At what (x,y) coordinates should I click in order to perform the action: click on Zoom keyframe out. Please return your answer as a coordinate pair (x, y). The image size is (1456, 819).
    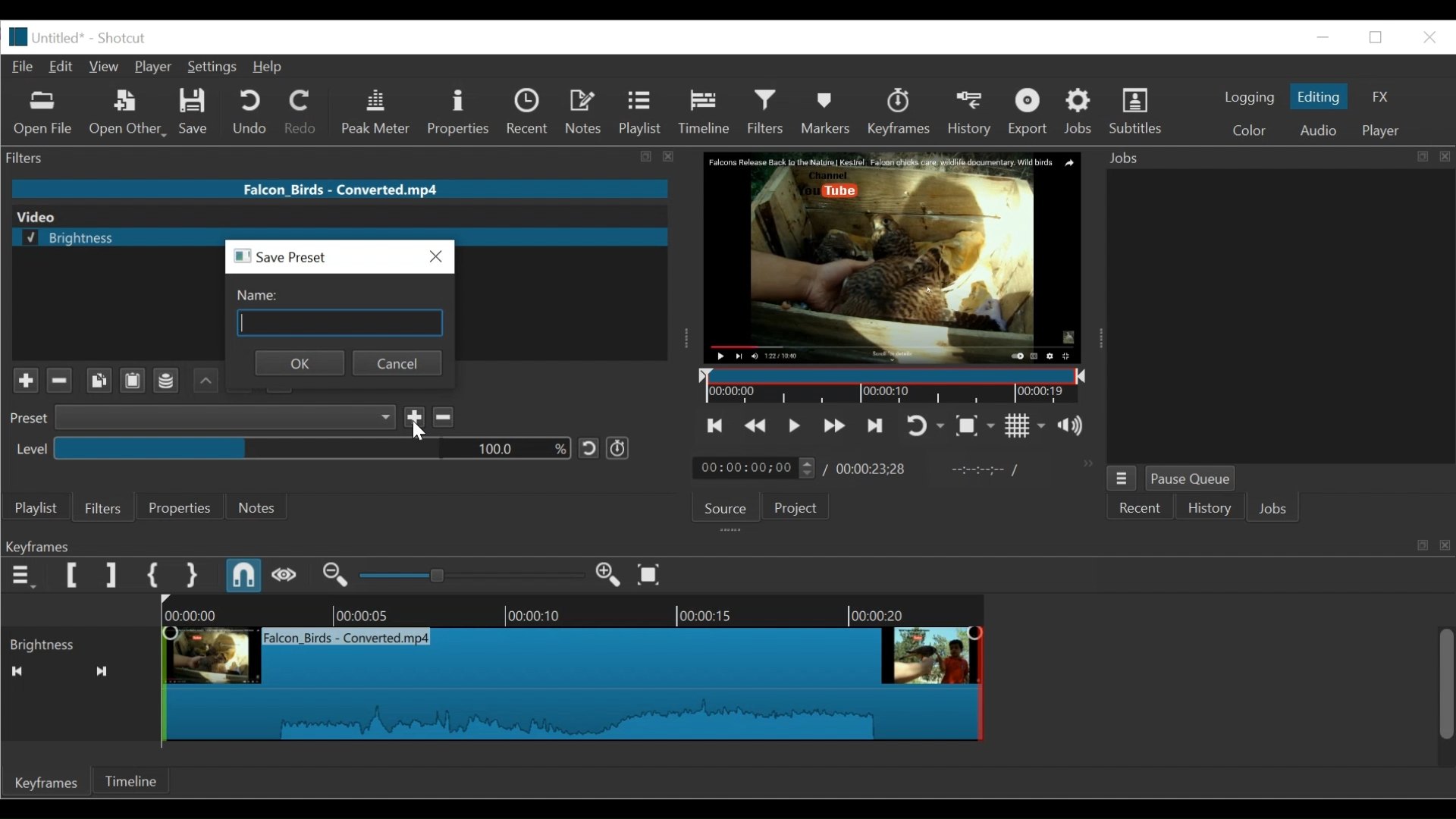
    Looking at the image, I should click on (335, 576).